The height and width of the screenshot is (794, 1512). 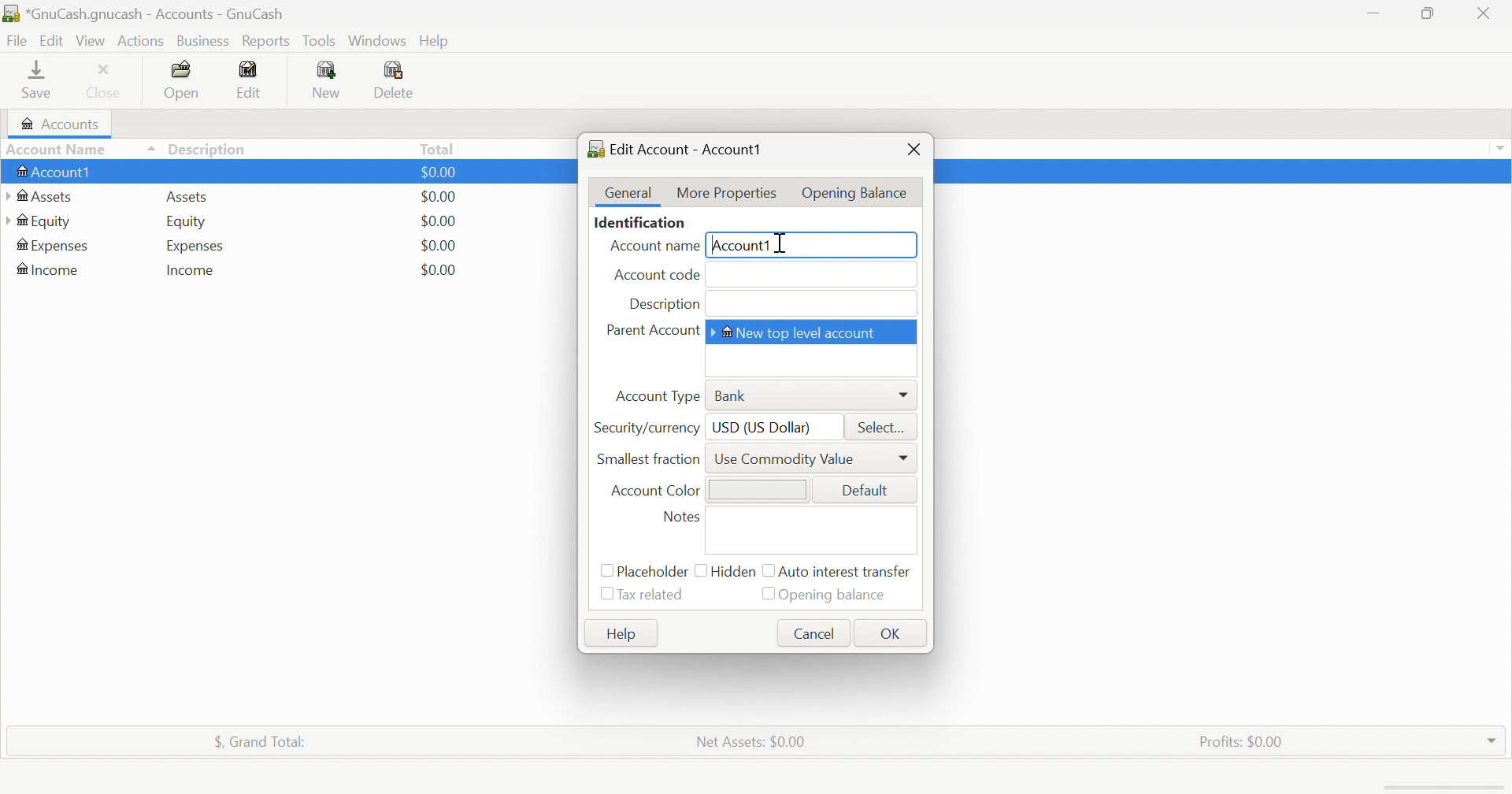 What do you see at coordinates (647, 458) in the screenshot?
I see `Smallest Fraction` at bounding box center [647, 458].